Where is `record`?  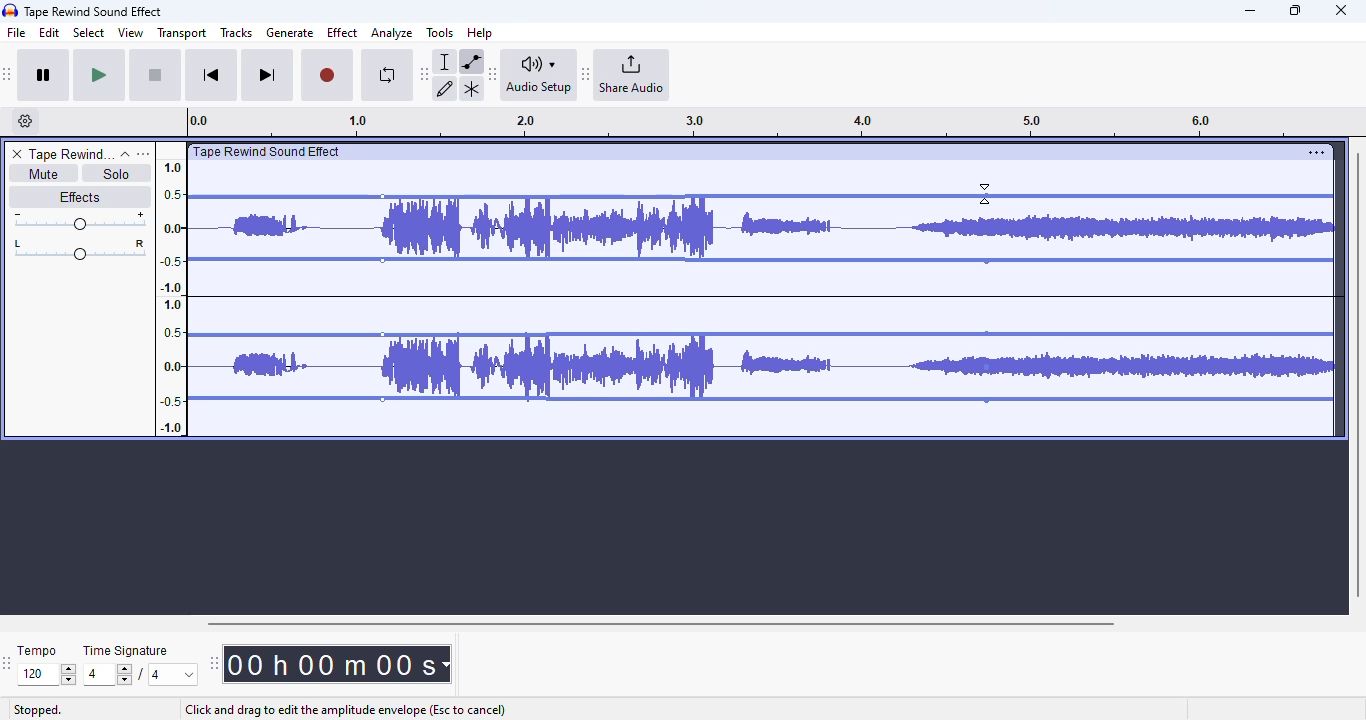
record is located at coordinates (327, 76).